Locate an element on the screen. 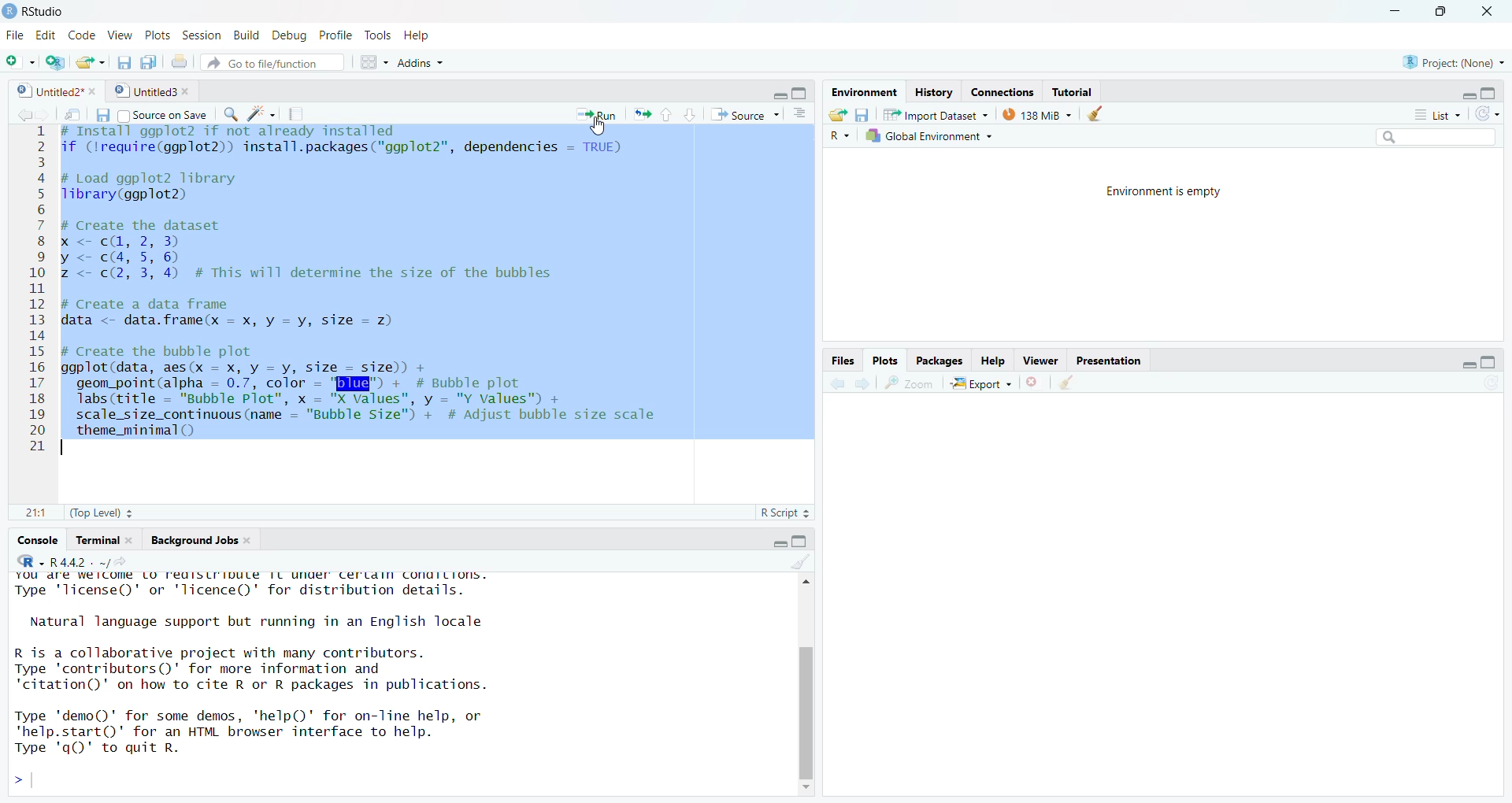  Addins  is located at coordinates (466, 61).